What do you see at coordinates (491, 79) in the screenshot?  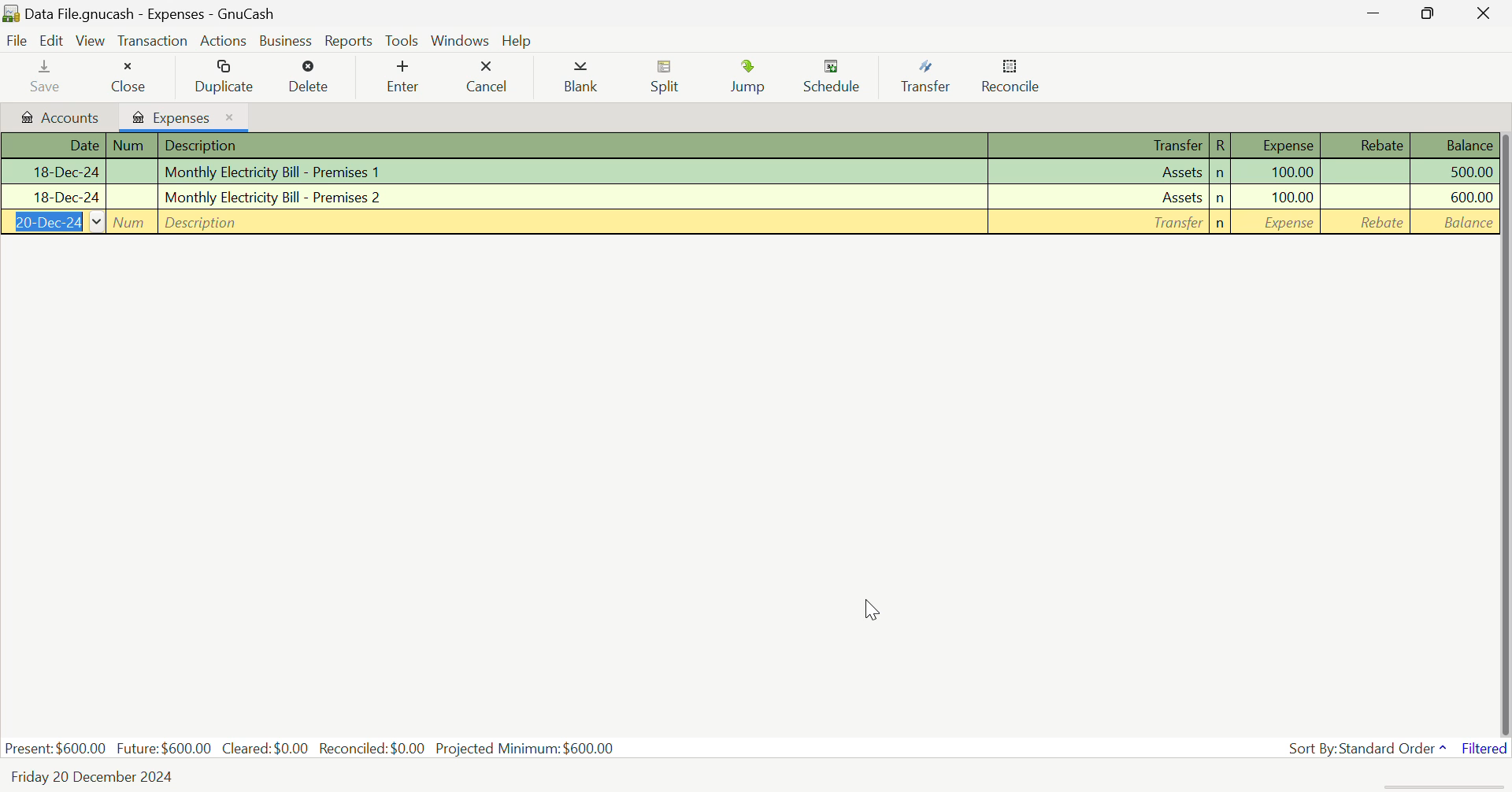 I see `Cancel` at bounding box center [491, 79].